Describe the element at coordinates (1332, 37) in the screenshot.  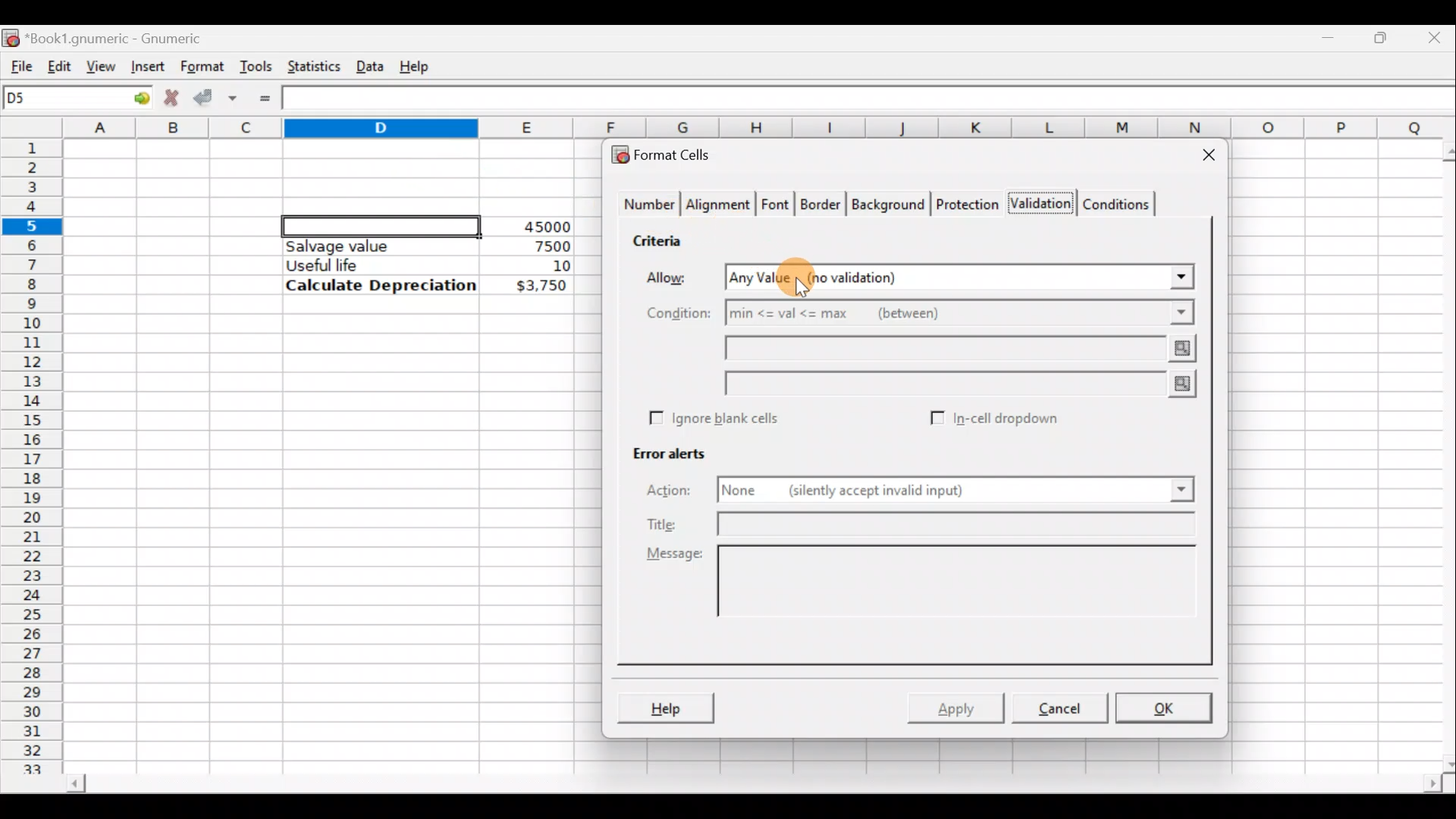
I see `Minimize` at that location.